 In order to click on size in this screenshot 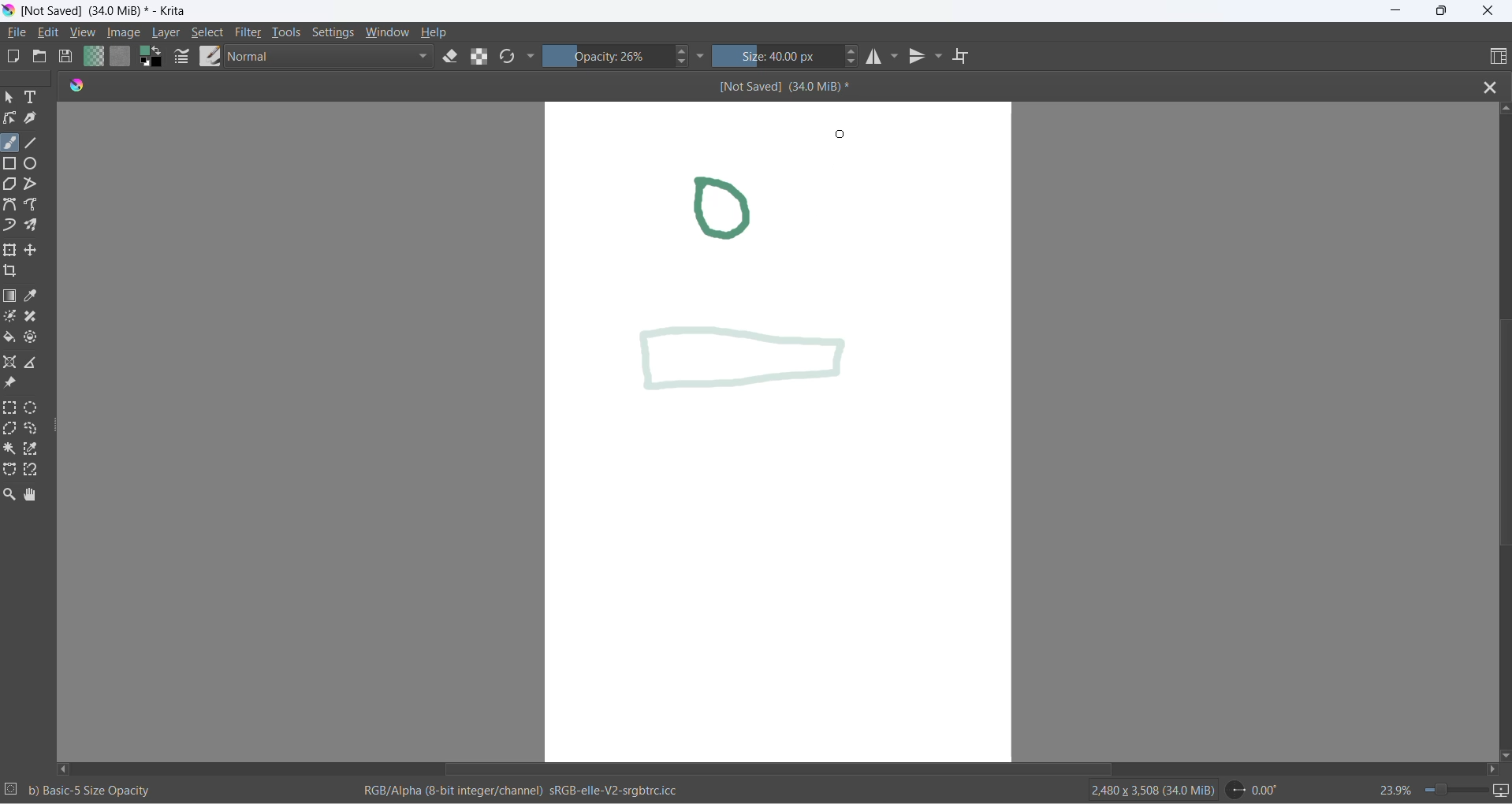, I will do `click(777, 56)`.